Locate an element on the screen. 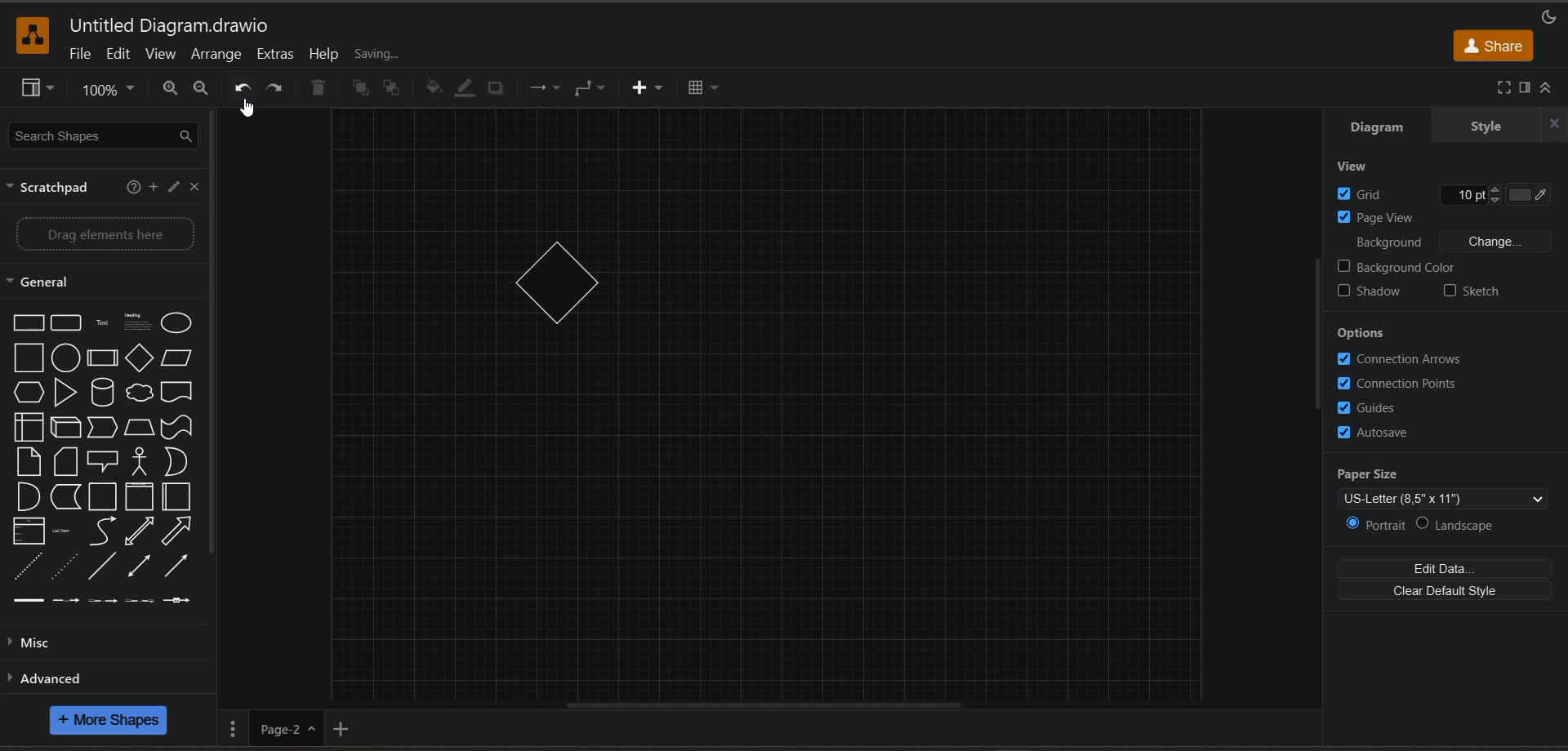 Image resolution: width=1568 pixels, height=751 pixels. advanced is located at coordinates (50, 680).